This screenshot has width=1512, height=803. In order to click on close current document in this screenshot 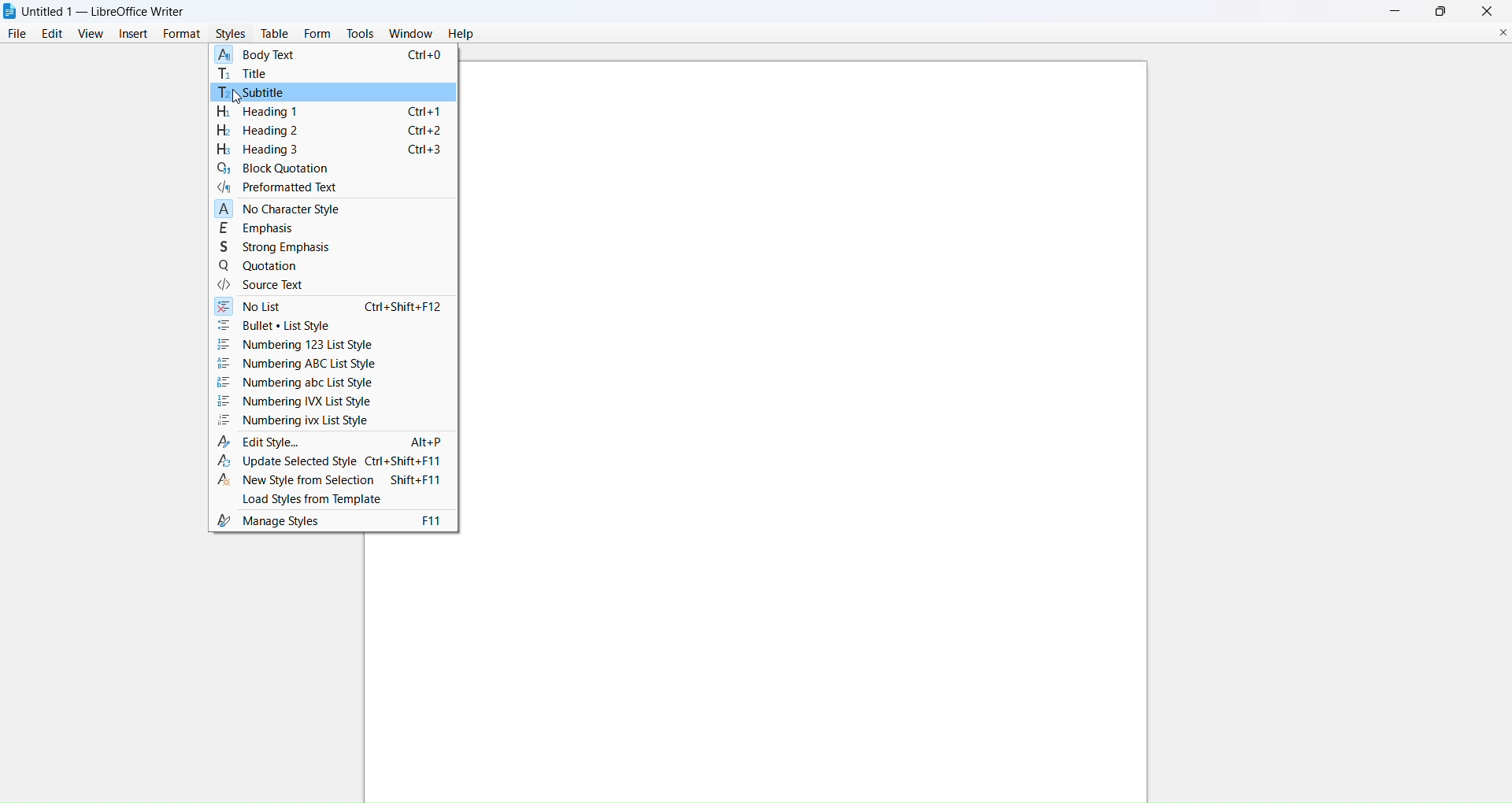, I will do `click(1504, 33)`.